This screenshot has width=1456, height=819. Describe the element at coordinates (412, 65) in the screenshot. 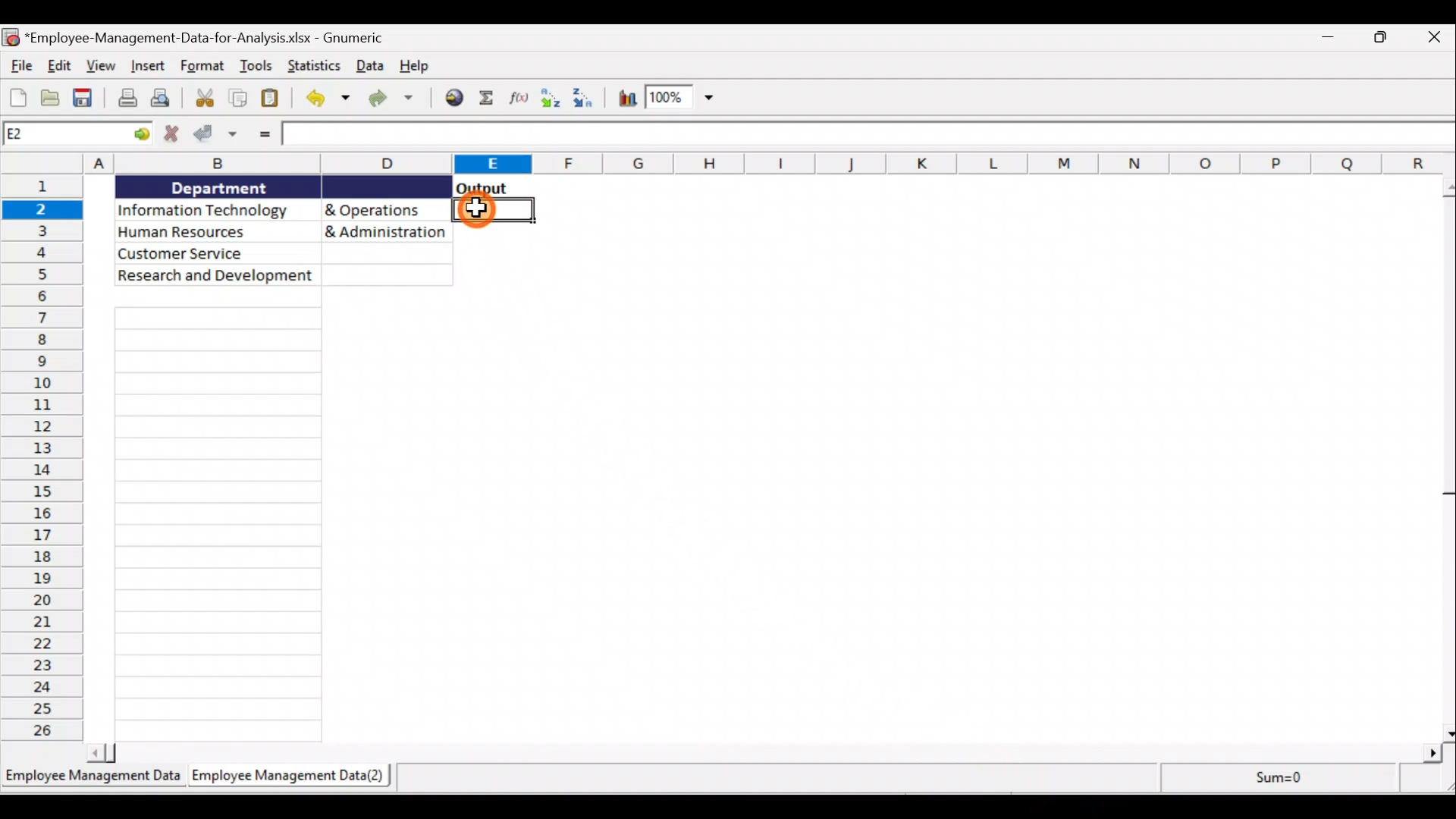

I see `Help` at that location.